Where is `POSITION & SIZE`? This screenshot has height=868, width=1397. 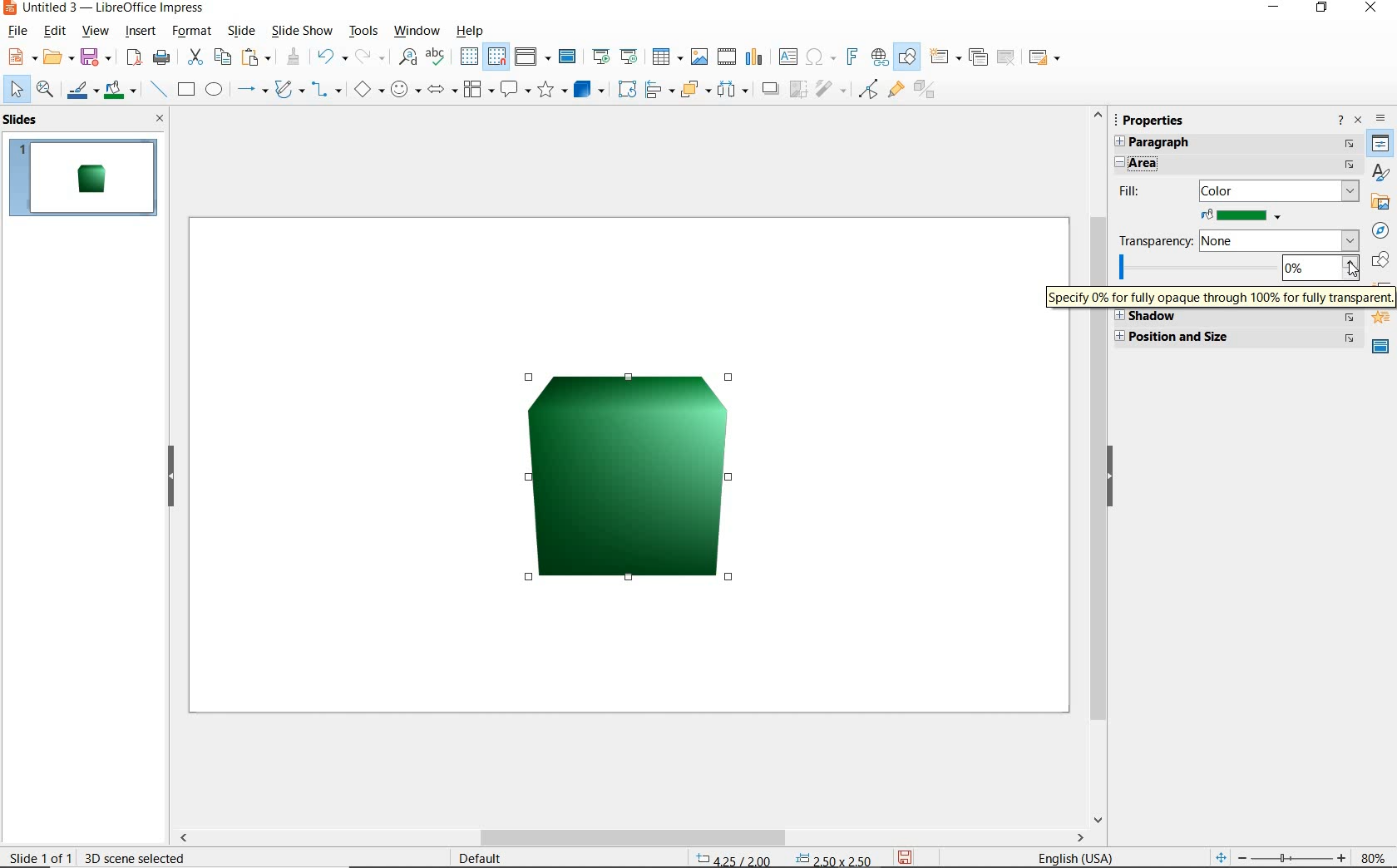
POSITION & SIZE is located at coordinates (1240, 337).